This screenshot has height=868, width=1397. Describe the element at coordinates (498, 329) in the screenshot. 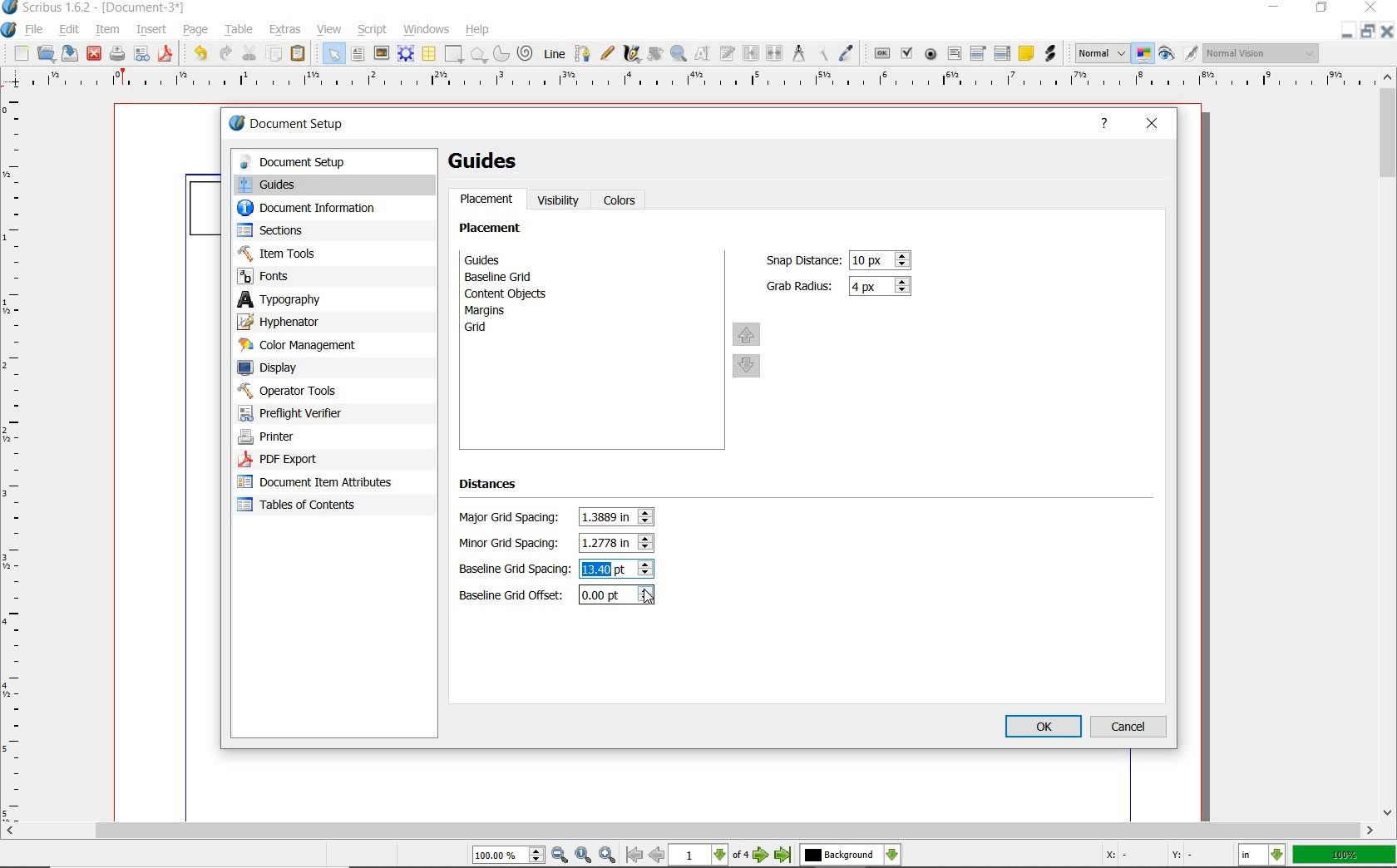

I see `grid` at that location.